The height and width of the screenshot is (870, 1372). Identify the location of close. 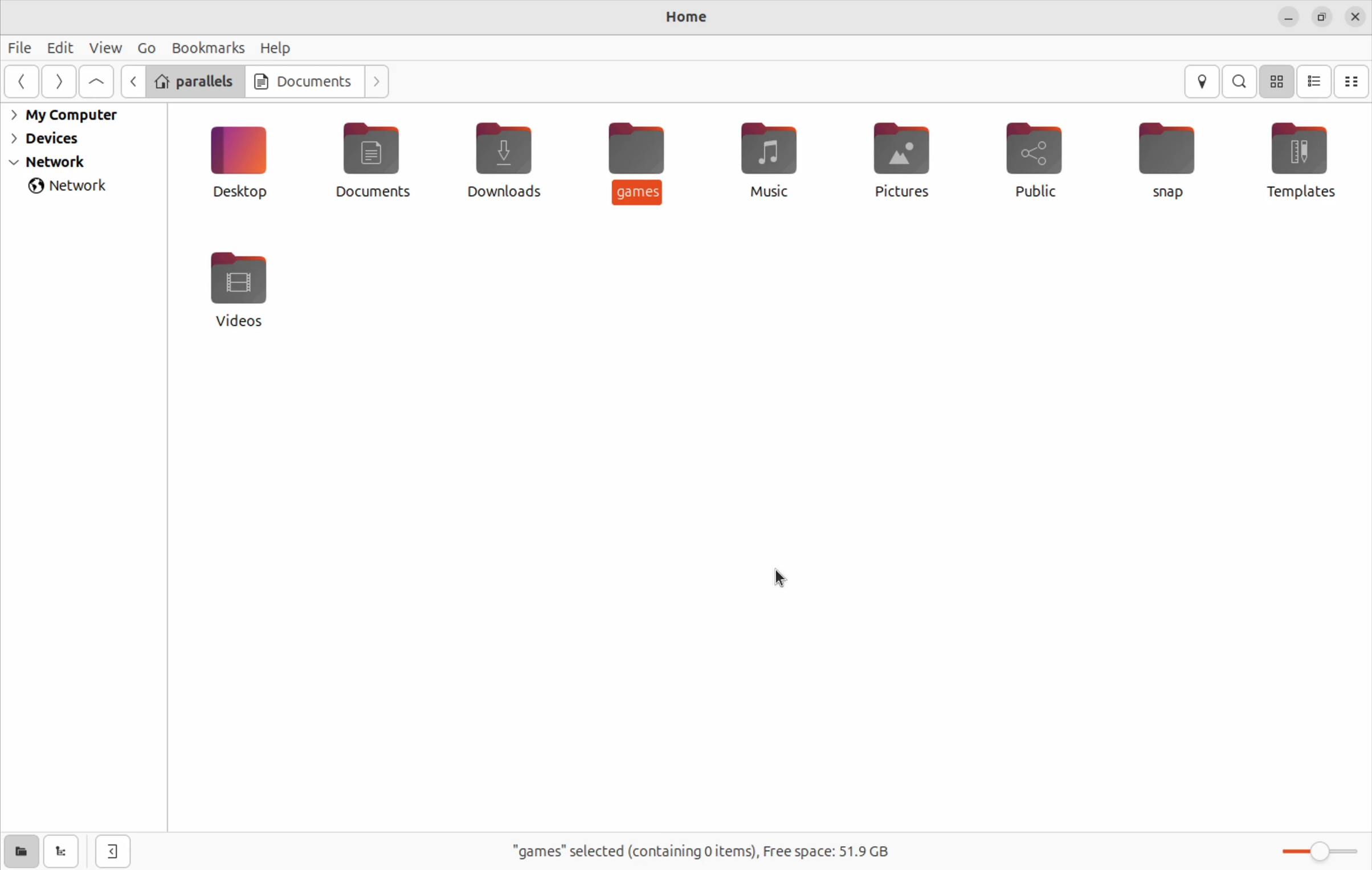
(1355, 16).